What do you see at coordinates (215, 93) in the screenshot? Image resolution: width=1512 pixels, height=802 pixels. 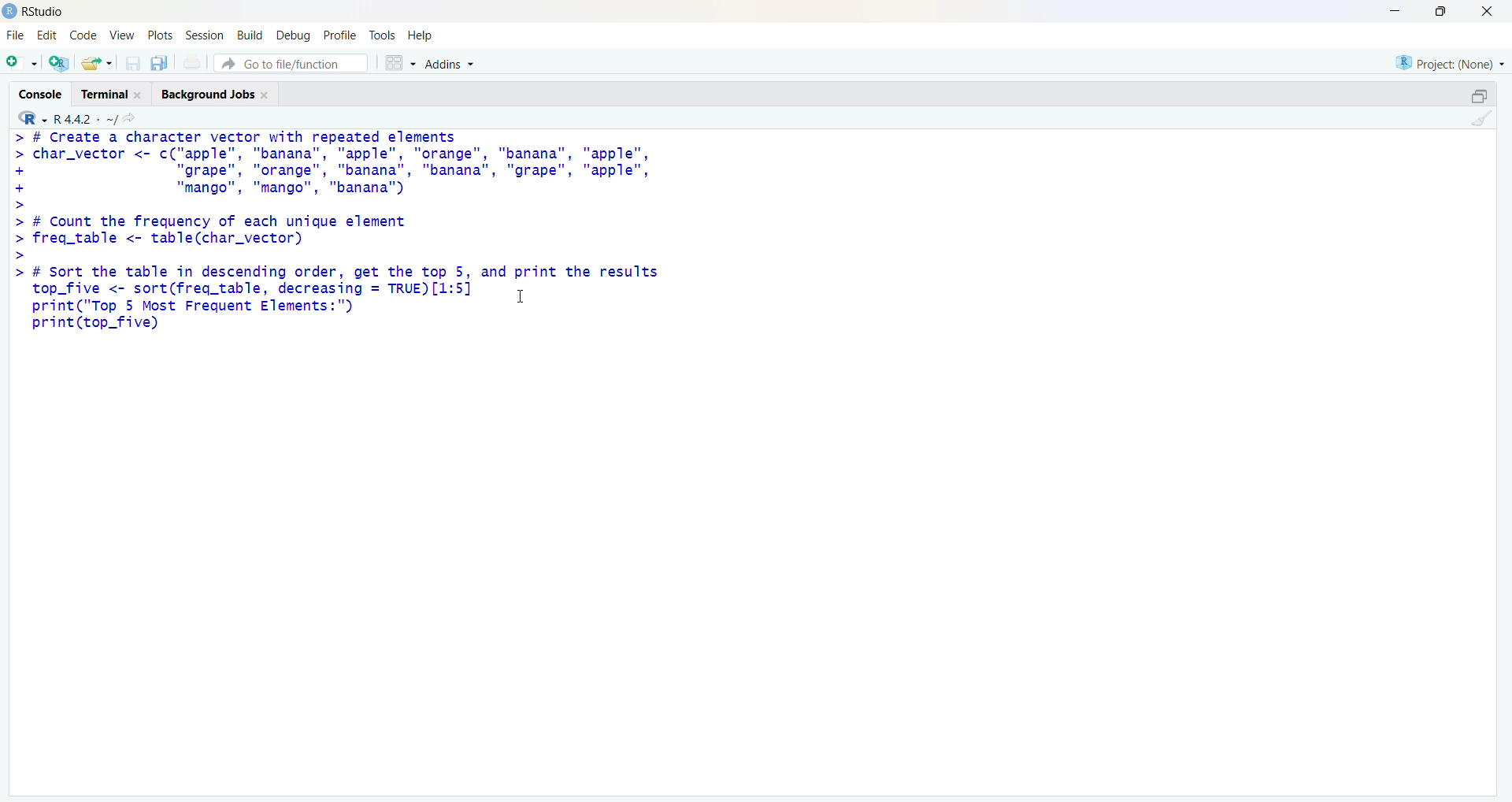 I see `Background Jobs` at bounding box center [215, 93].